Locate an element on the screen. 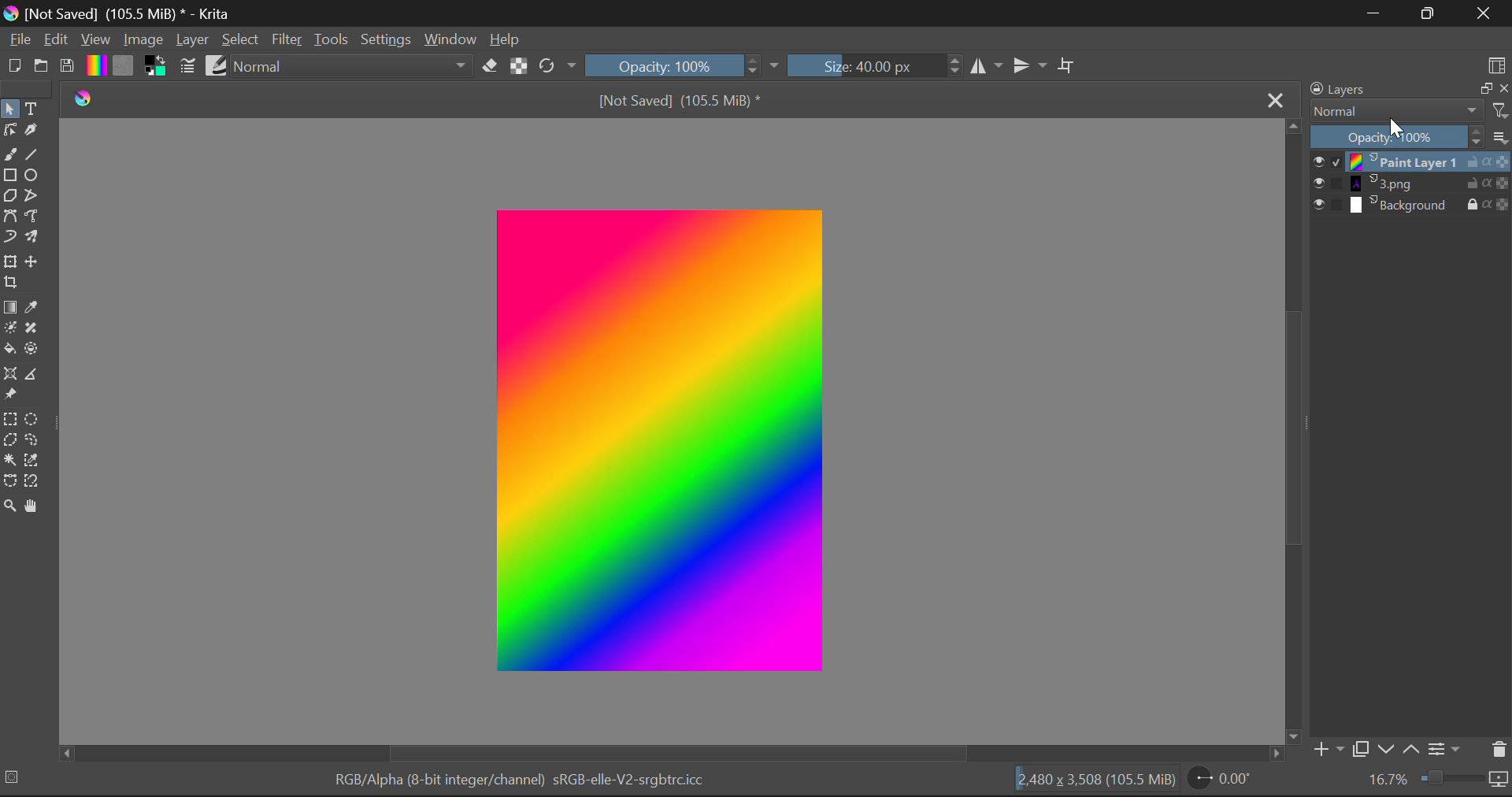 The width and height of the screenshot is (1512, 797). Rectangle Selection is located at coordinates (11, 419).